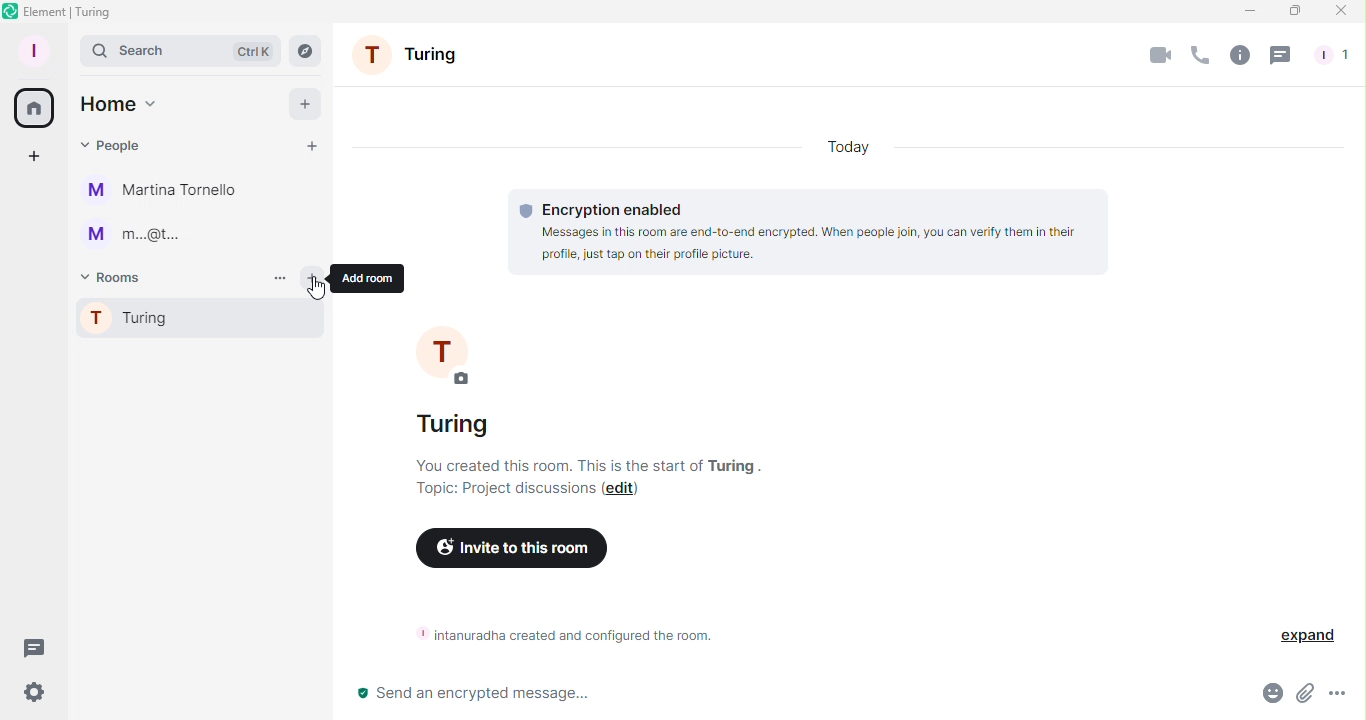  I want to click on Maximize, so click(1293, 11).